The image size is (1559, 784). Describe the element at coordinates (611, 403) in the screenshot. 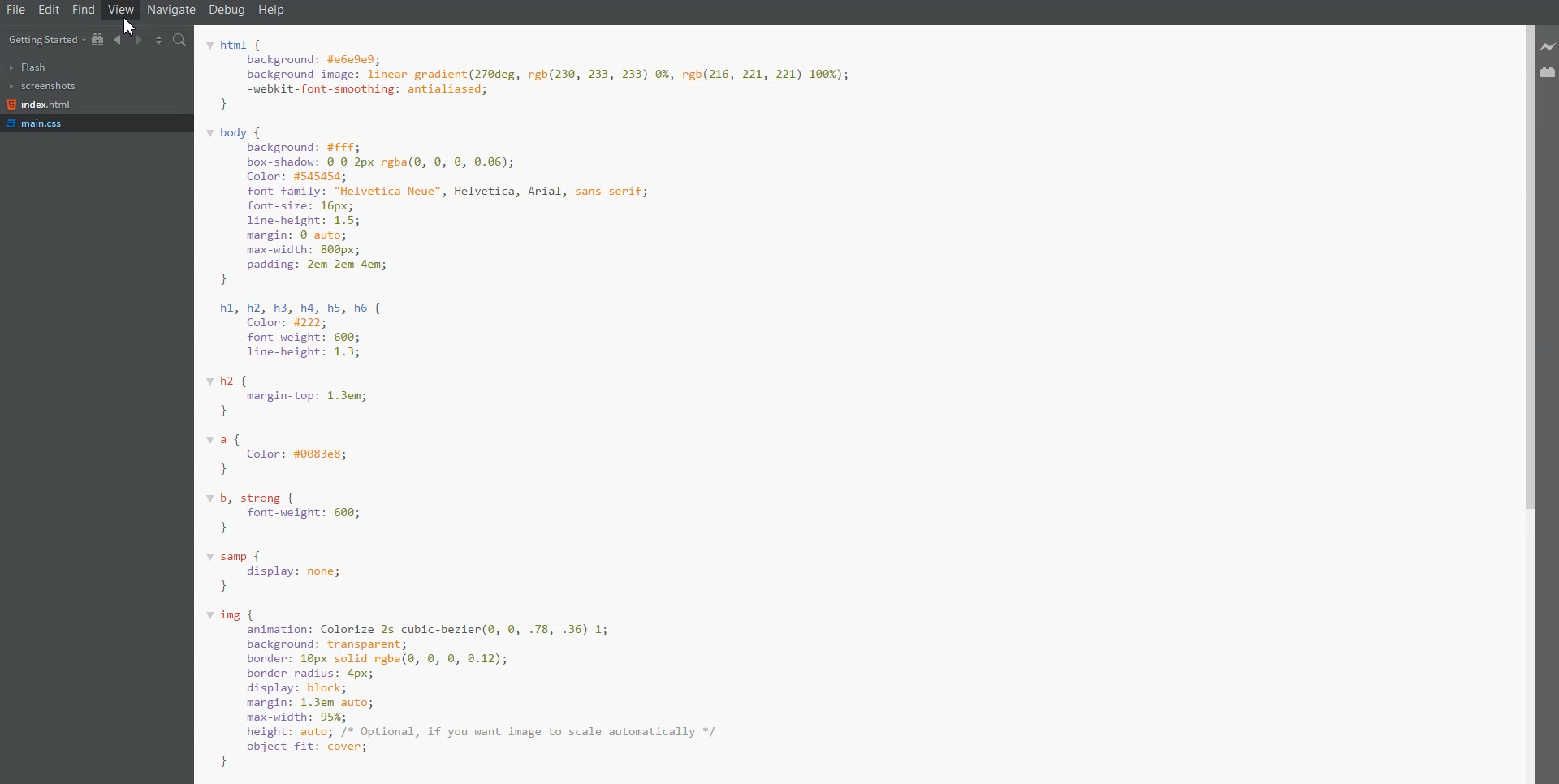

I see `html {
background: #e6e9e9;
background-image: linear-gradient(270deg, rgb(230, 233, 233) 0%, rgb(216, 221, 221) 166%);
-webkit-font-smoothing: antialiased;
}
body {
background: #££F;
box-shadow: © @ 2px rgba(@, 0, 8, 0.06);
Color: #545454;
font-family: "Helvetica Neue", Helvetica, Arial, sans-serif;
font-size: 16px;
line-height: 1.5;
margin: 8 auto;
max-width: 808px;
padding: 2em 2em dem;
}
h1, h2, h3, ha, hs, h6 {
Color: #222;
font-weight: 600;
line-height: 1.3;
h2 {
margin-top: 1.3em;
}
raf
Color: #0083e8;
}
/ b, strong {
font-weight: 600;
}
samp {
display: none;
}
ing {
animation: Colorize 2s cubic-bezier(®, 0, .78, .36) 1;
background: transparent;
border: 10px solid rgba(e, 0, 8, 0.12);
border-radius: 4px;
display: block;
margin: 1.3em auto;
max-width: 95%;
height: auto; /* Optional, if you want image to scale automatically */
object-fit: cover;
}` at that location.